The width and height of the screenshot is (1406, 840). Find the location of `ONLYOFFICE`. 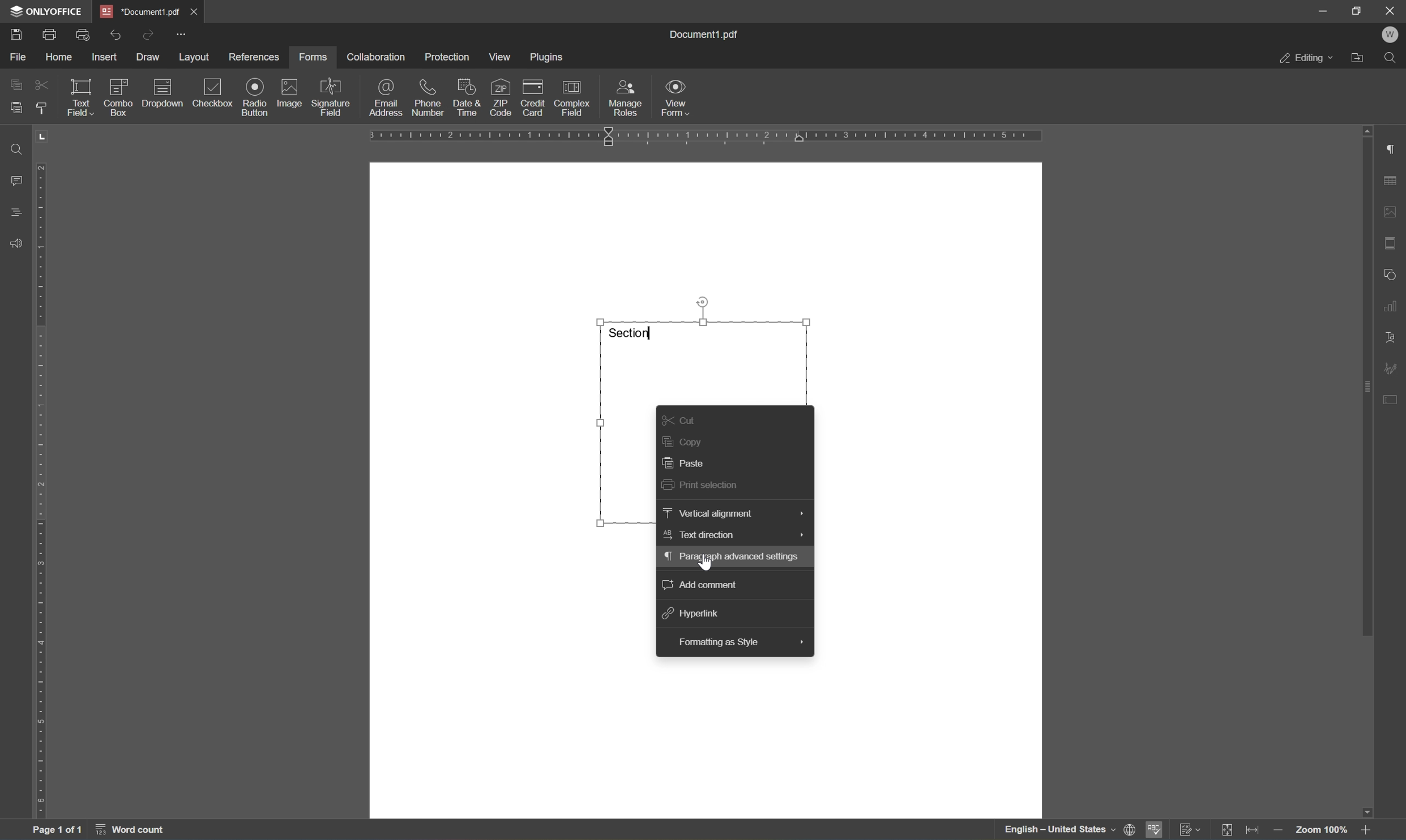

ONLYOFFICE is located at coordinates (51, 11).